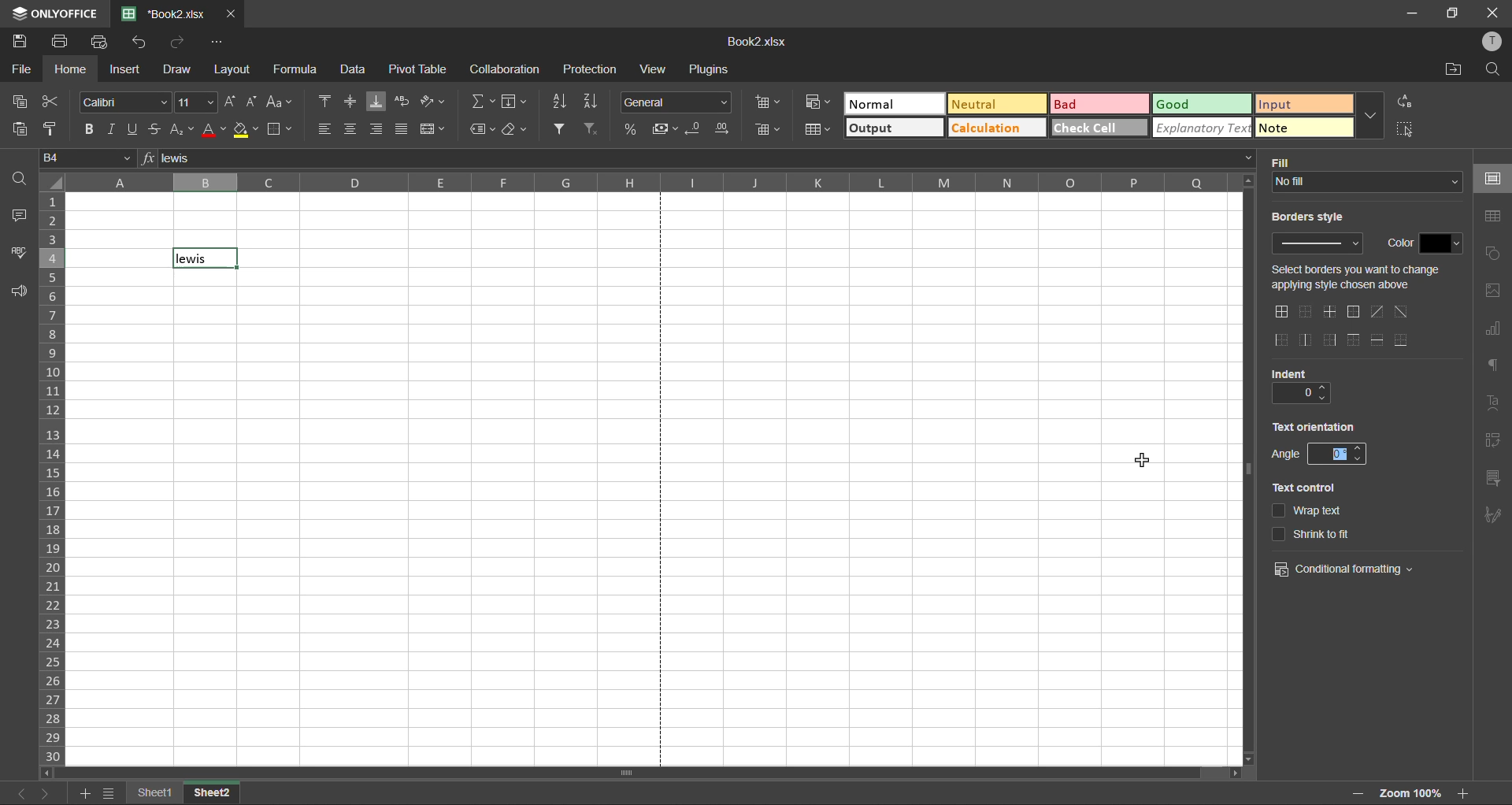 The width and height of the screenshot is (1512, 805). What do you see at coordinates (1284, 158) in the screenshot?
I see `fill` at bounding box center [1284, 158].